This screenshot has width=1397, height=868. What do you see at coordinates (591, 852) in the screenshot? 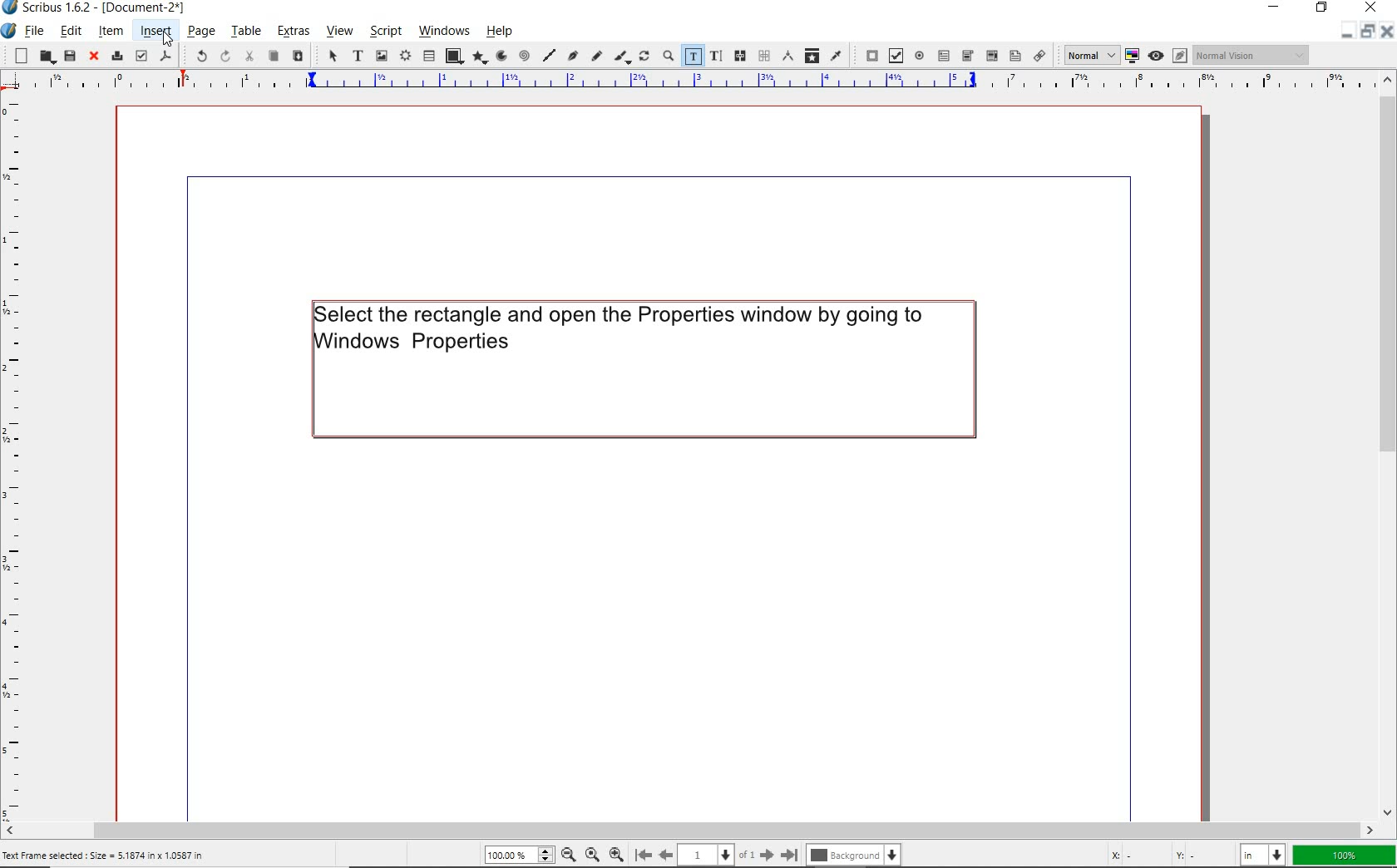
I see `default zoom` at bounding box center [591, 852].